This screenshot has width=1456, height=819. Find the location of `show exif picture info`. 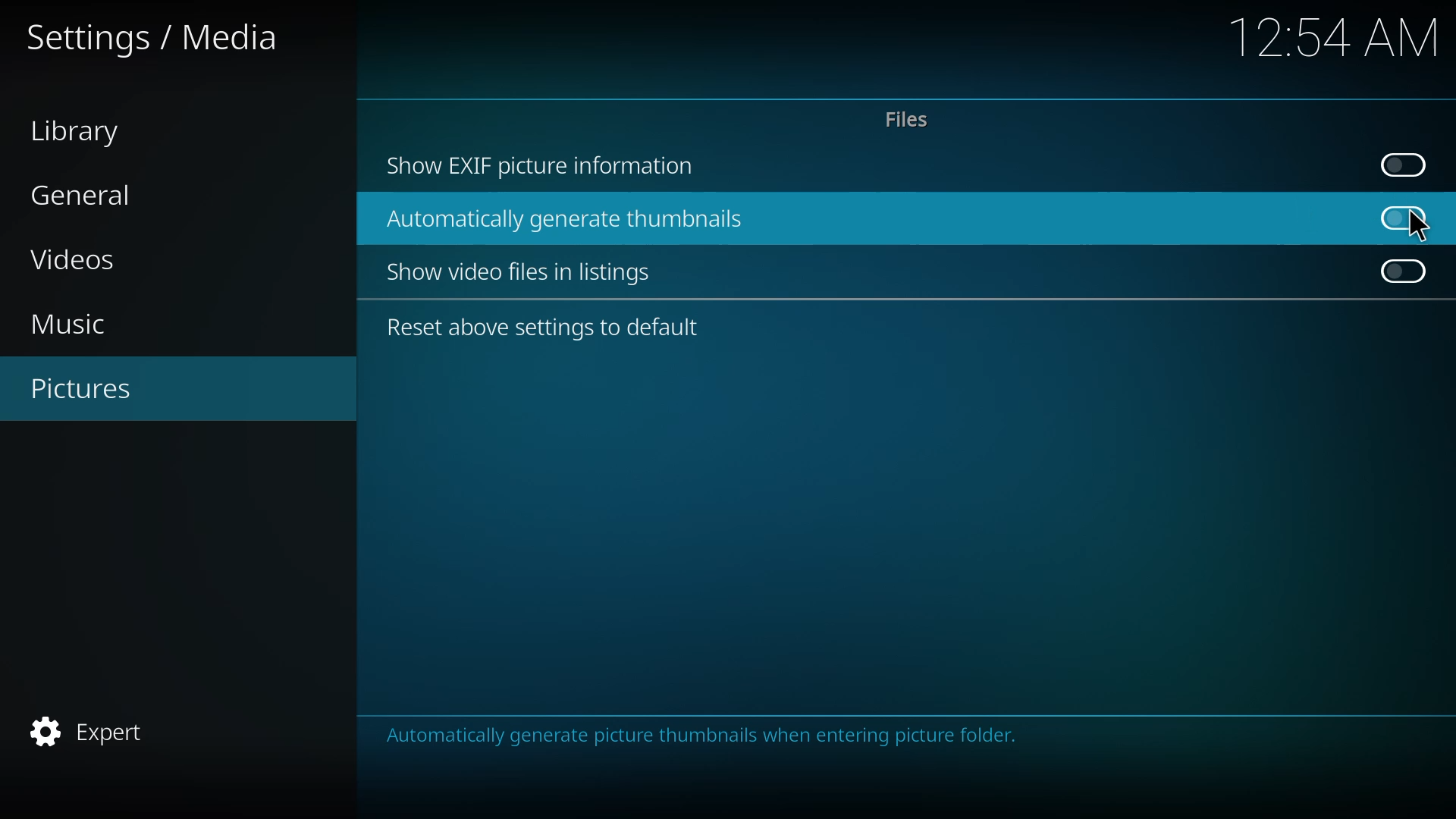

show exif picture info is located at coordinates (542, 165).